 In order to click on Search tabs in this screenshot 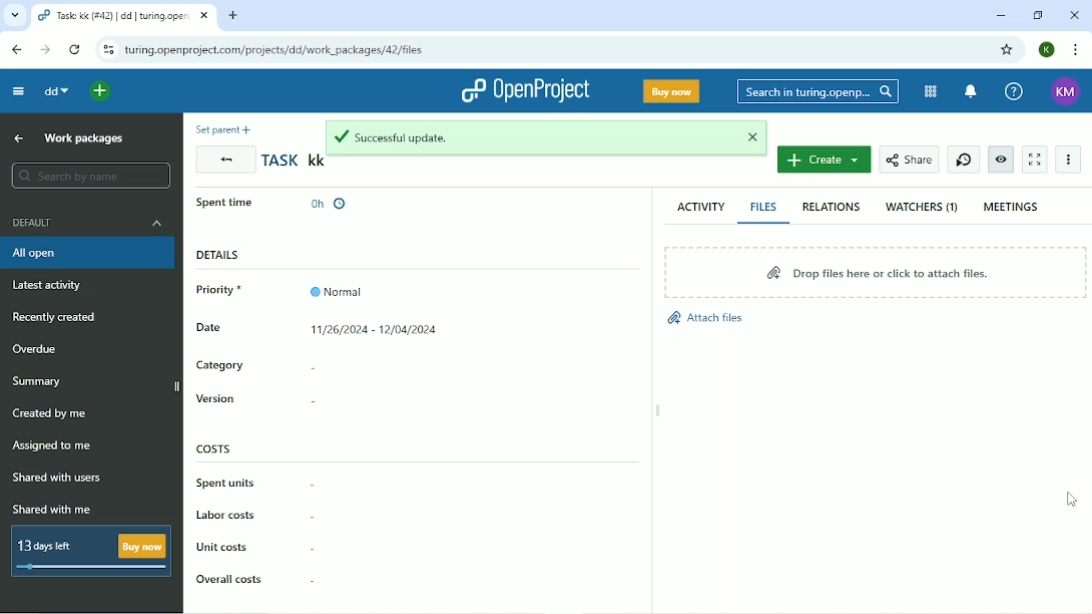, I will do `click(14, 15)`.